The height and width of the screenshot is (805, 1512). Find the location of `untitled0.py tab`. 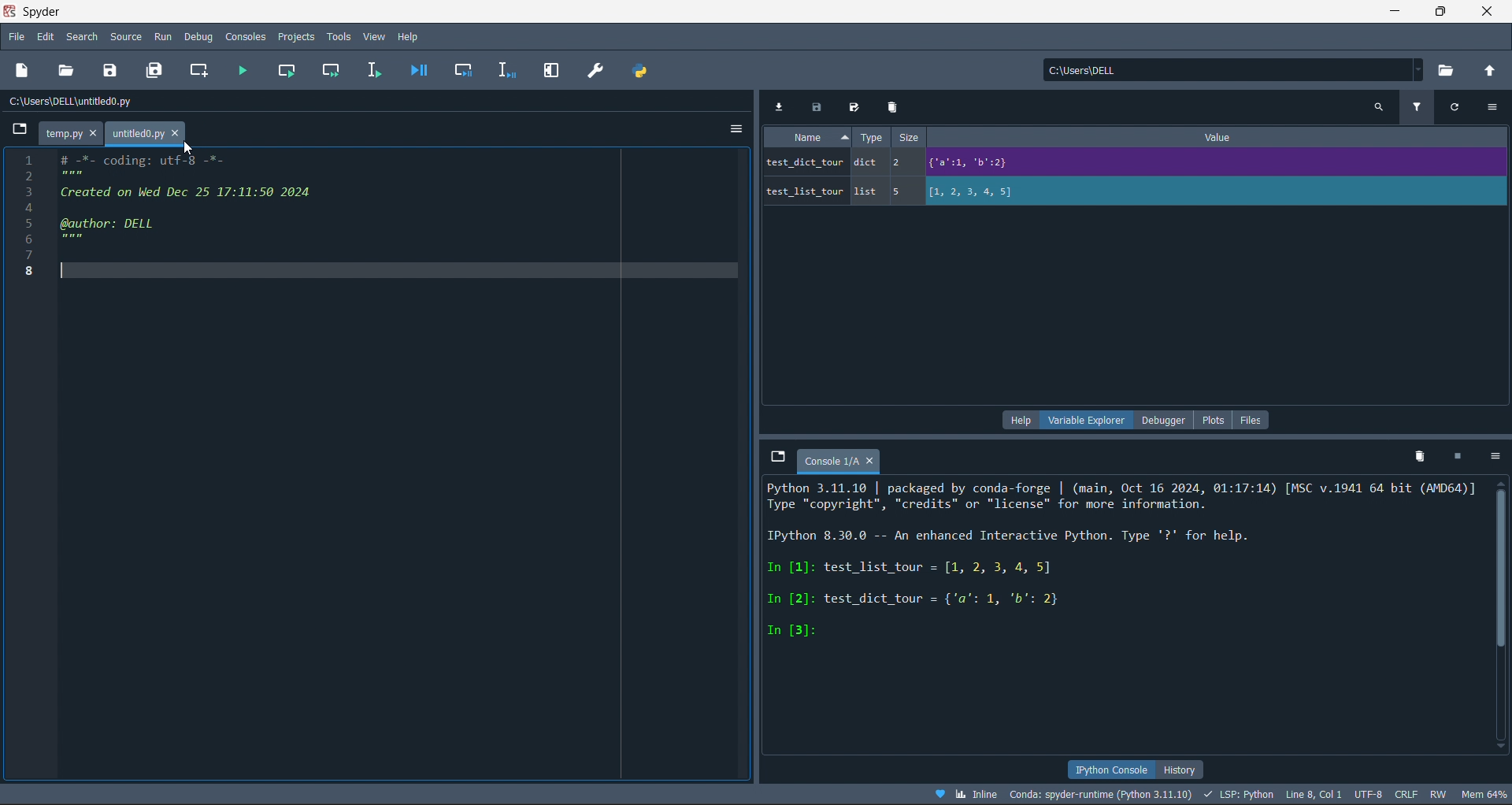

untitled0.py tab is located at coordinates (145, 132).